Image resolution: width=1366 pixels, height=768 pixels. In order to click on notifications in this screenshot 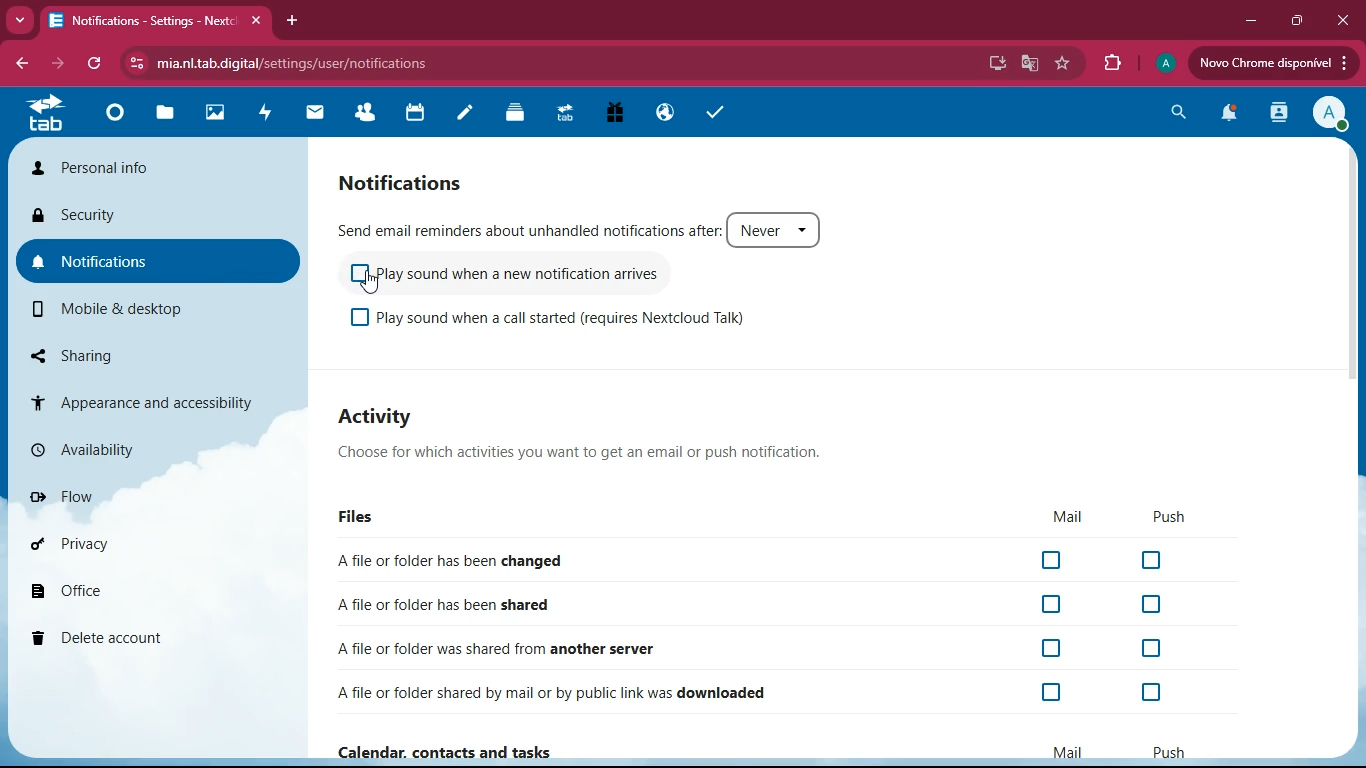, I will do `click(157, 259)`.